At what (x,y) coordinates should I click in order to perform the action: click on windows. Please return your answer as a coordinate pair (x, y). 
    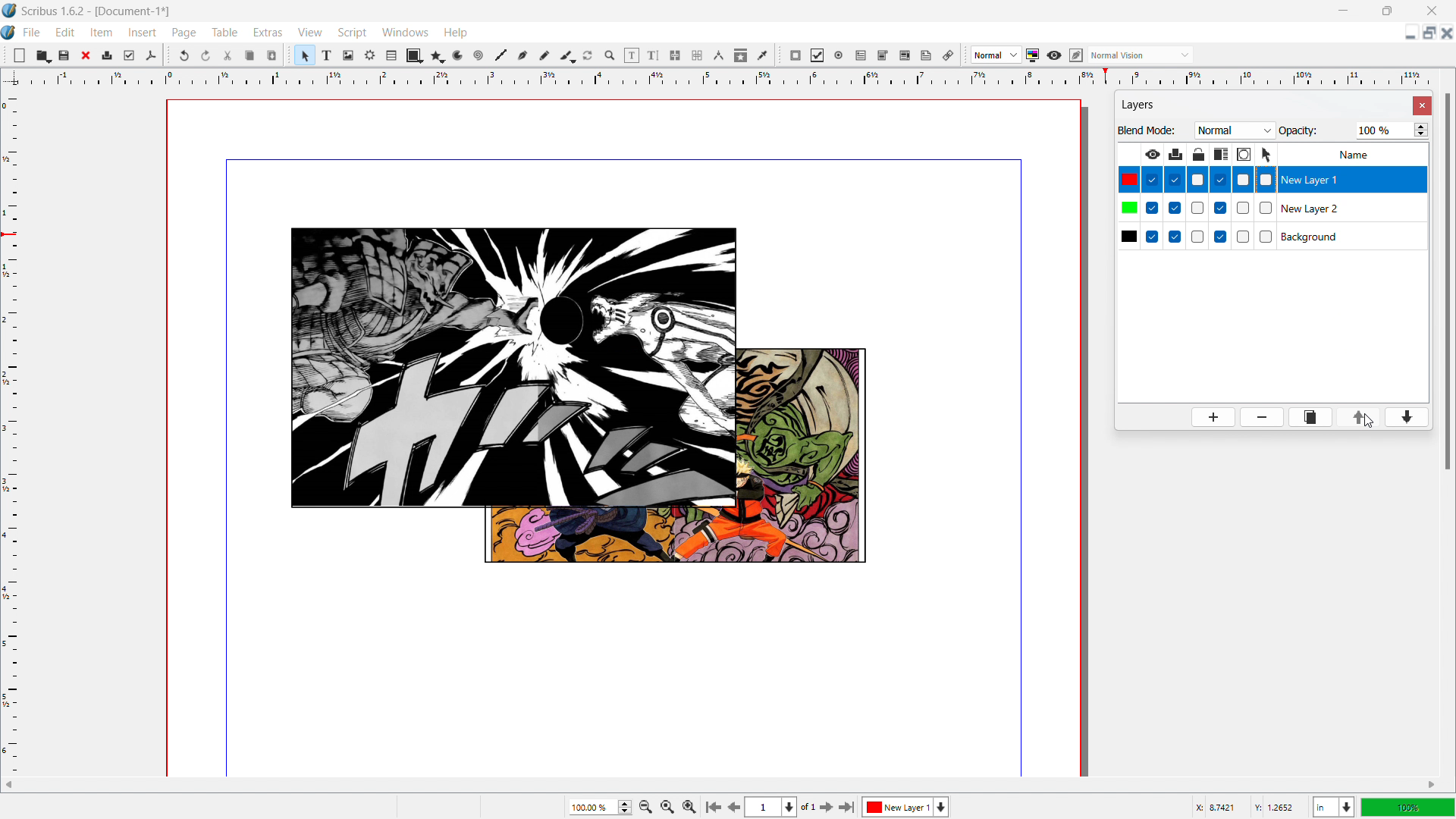
    Looking at the image, I should click on (403, 32).